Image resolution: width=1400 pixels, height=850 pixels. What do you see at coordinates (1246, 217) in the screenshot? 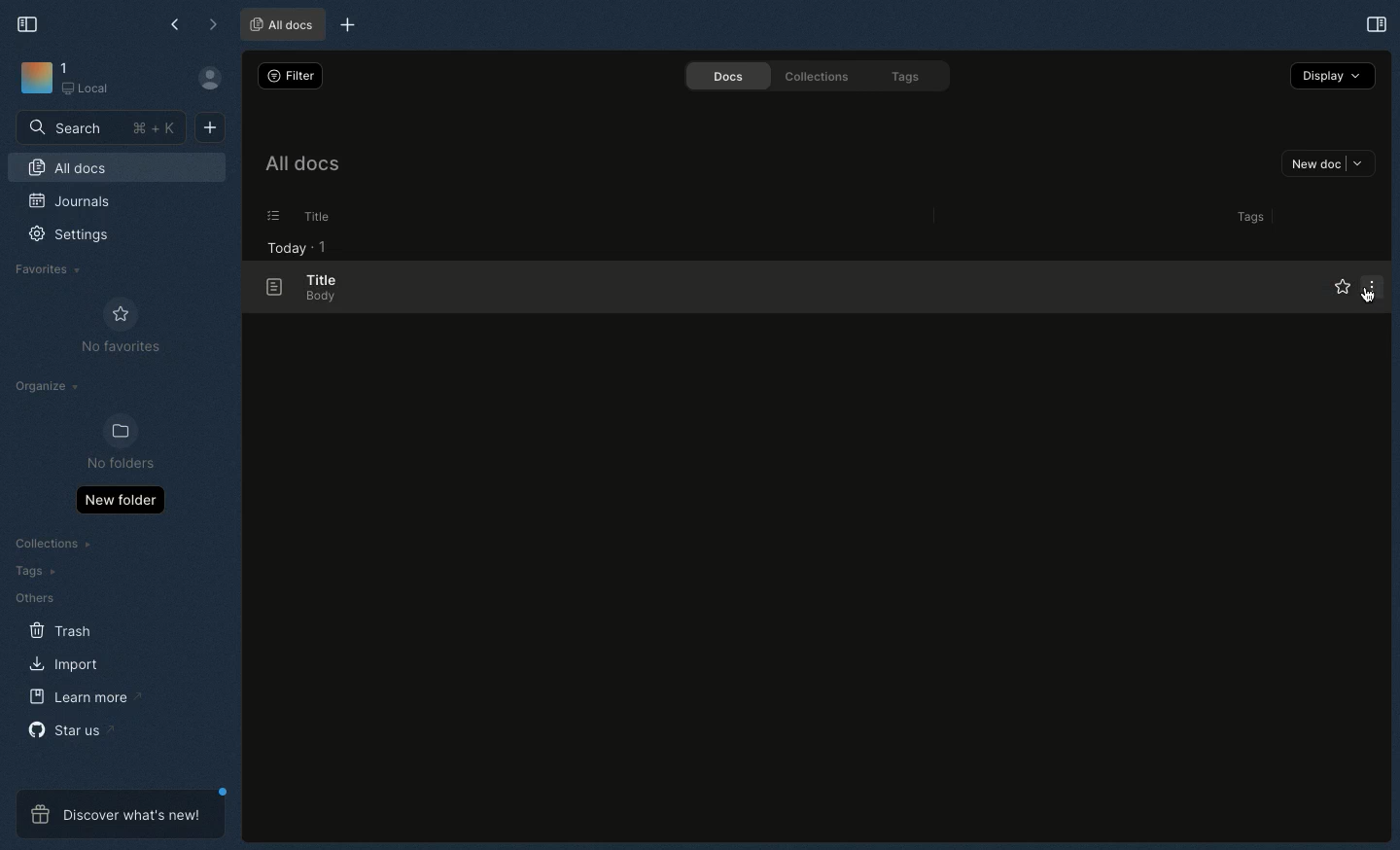
I see `Tags` at bounding box center [1246, 217].